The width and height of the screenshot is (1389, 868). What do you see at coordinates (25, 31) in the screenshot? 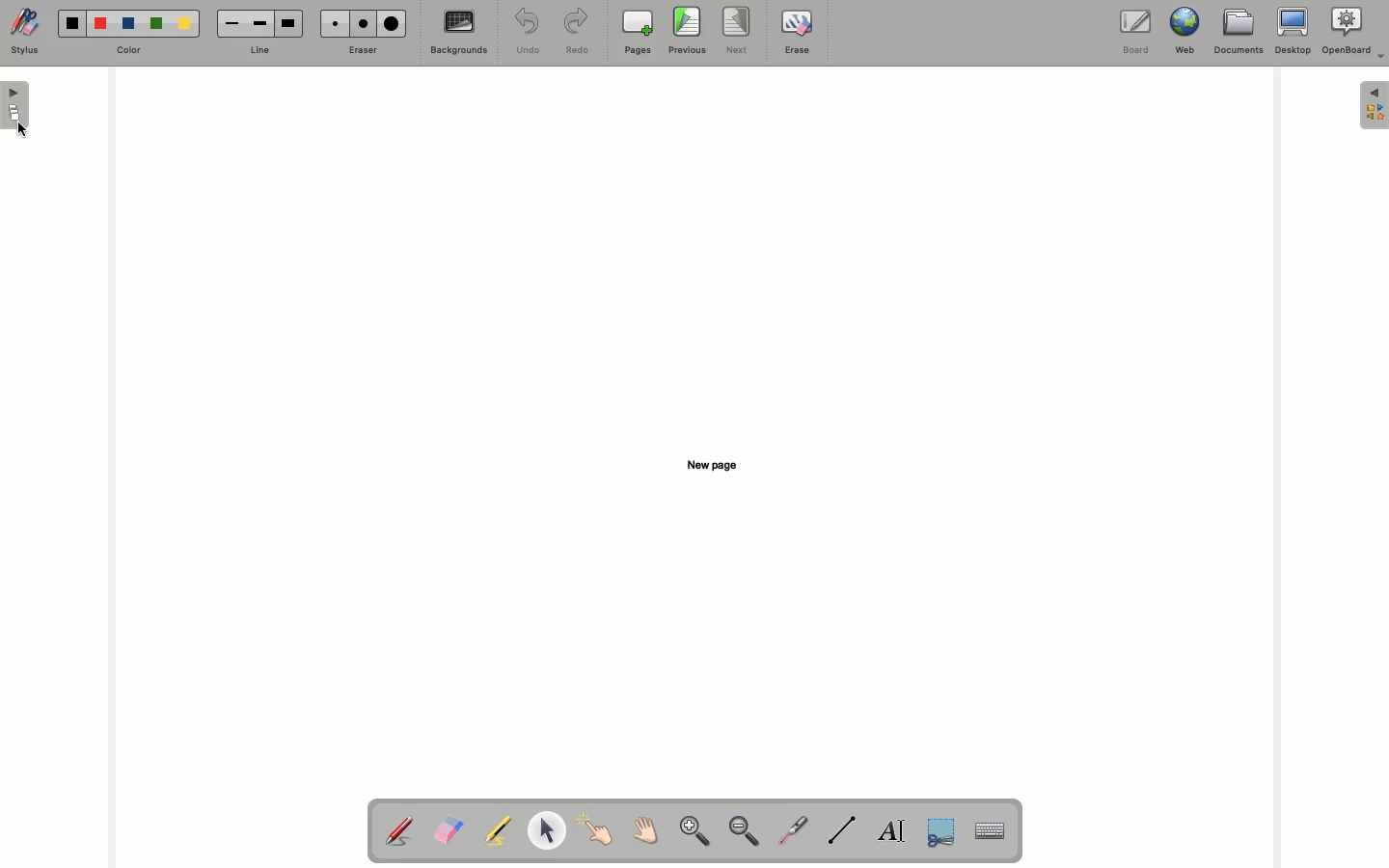
I see `Stylus` at bounding box center [25, 31].